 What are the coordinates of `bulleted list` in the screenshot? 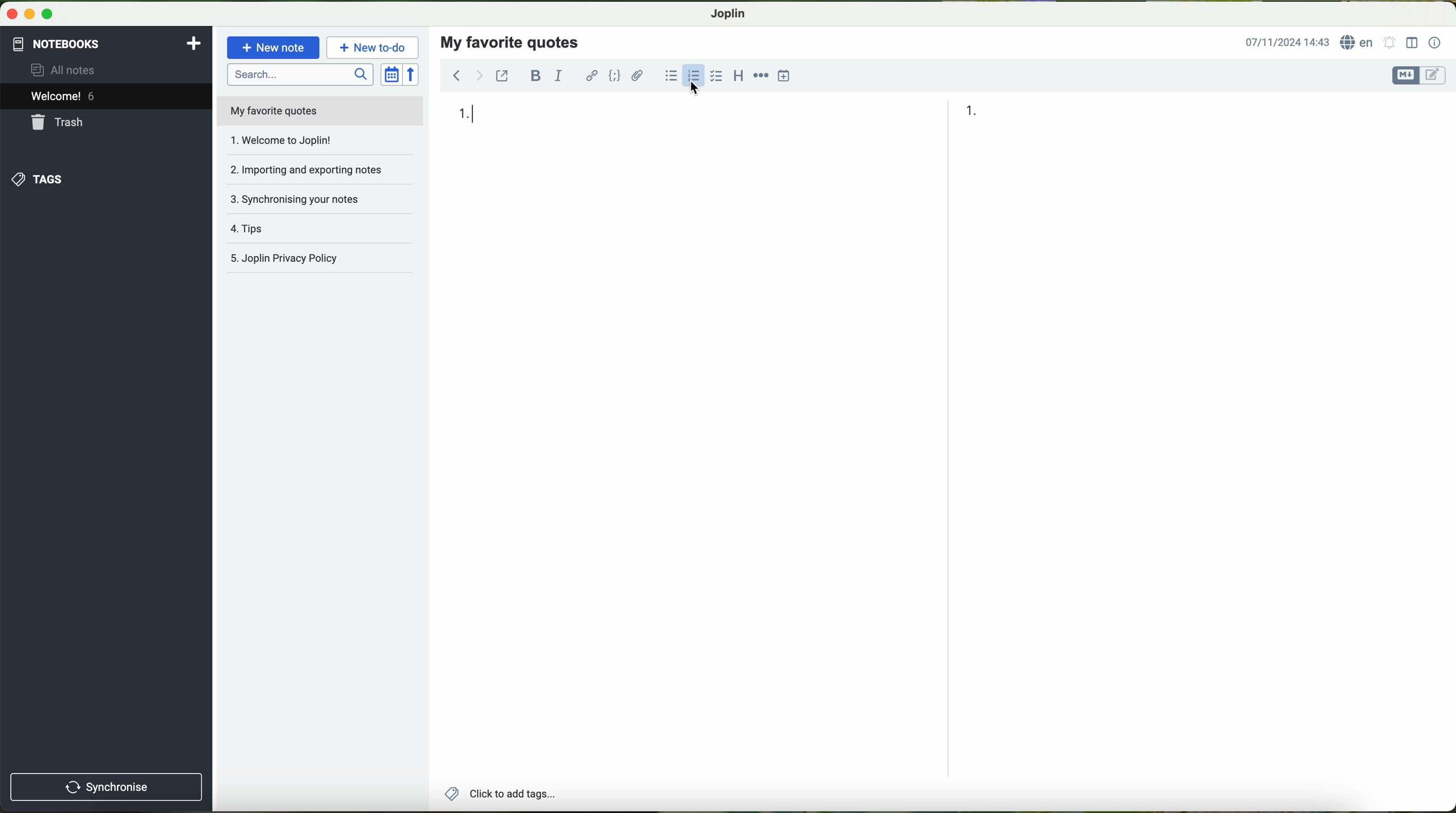 It's located at (670, 77).